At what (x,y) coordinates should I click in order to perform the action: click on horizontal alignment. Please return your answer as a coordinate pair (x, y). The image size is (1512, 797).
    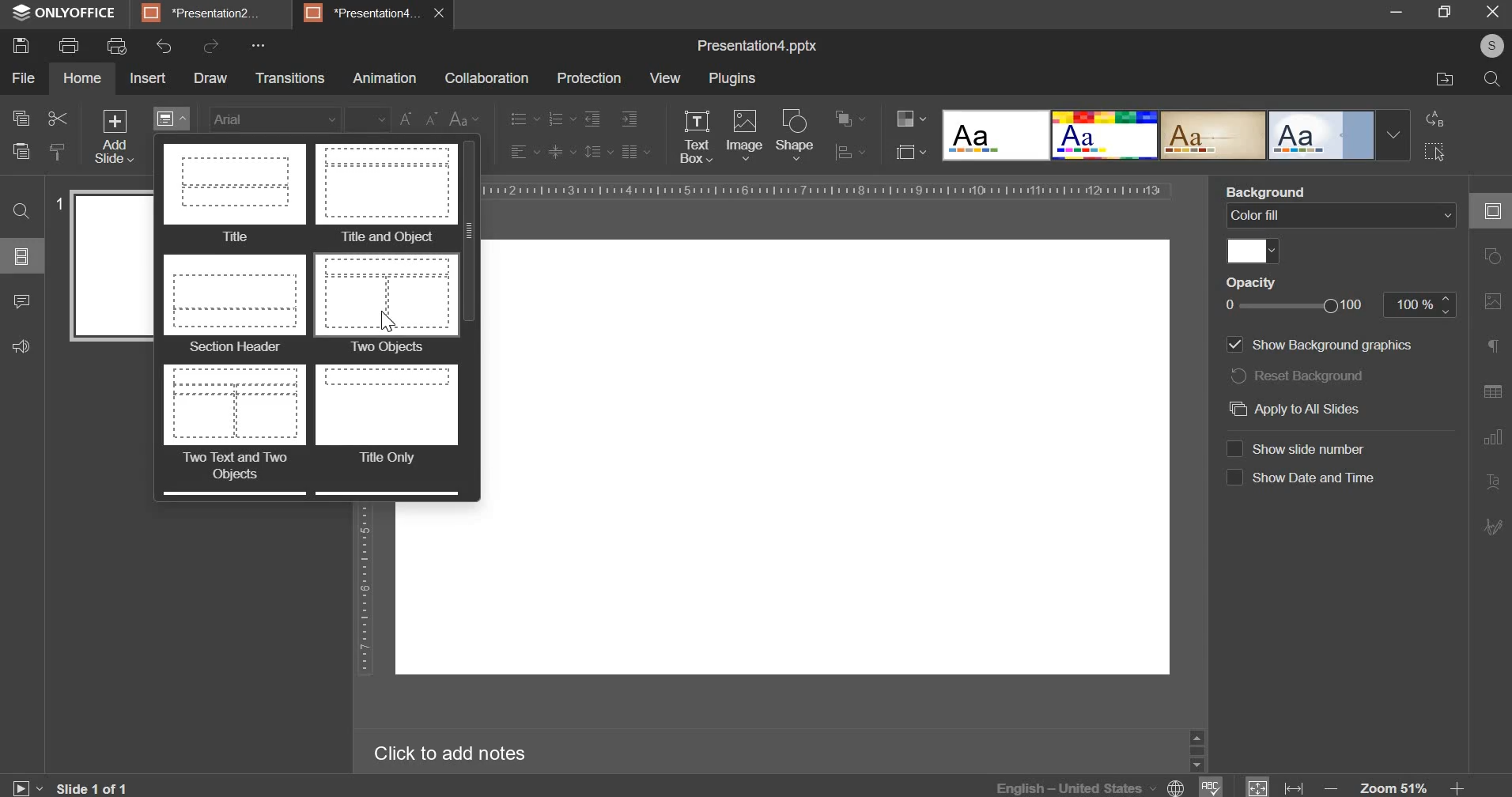
    Looking at the image, I should click on (524, 152).